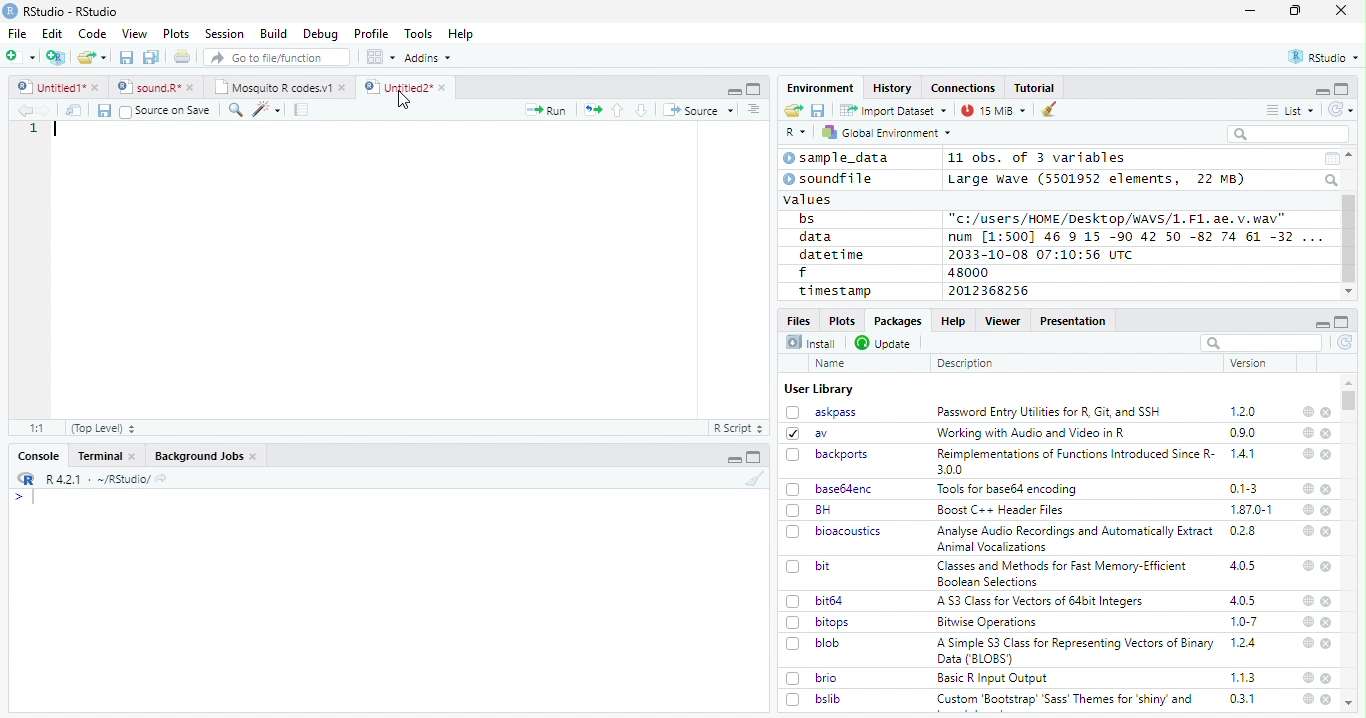 Image resolution: width=1366 pixels, height=718 pixels. Describe the element at coordinates (809, 567) in the screenshot. I see `bit` at that location.